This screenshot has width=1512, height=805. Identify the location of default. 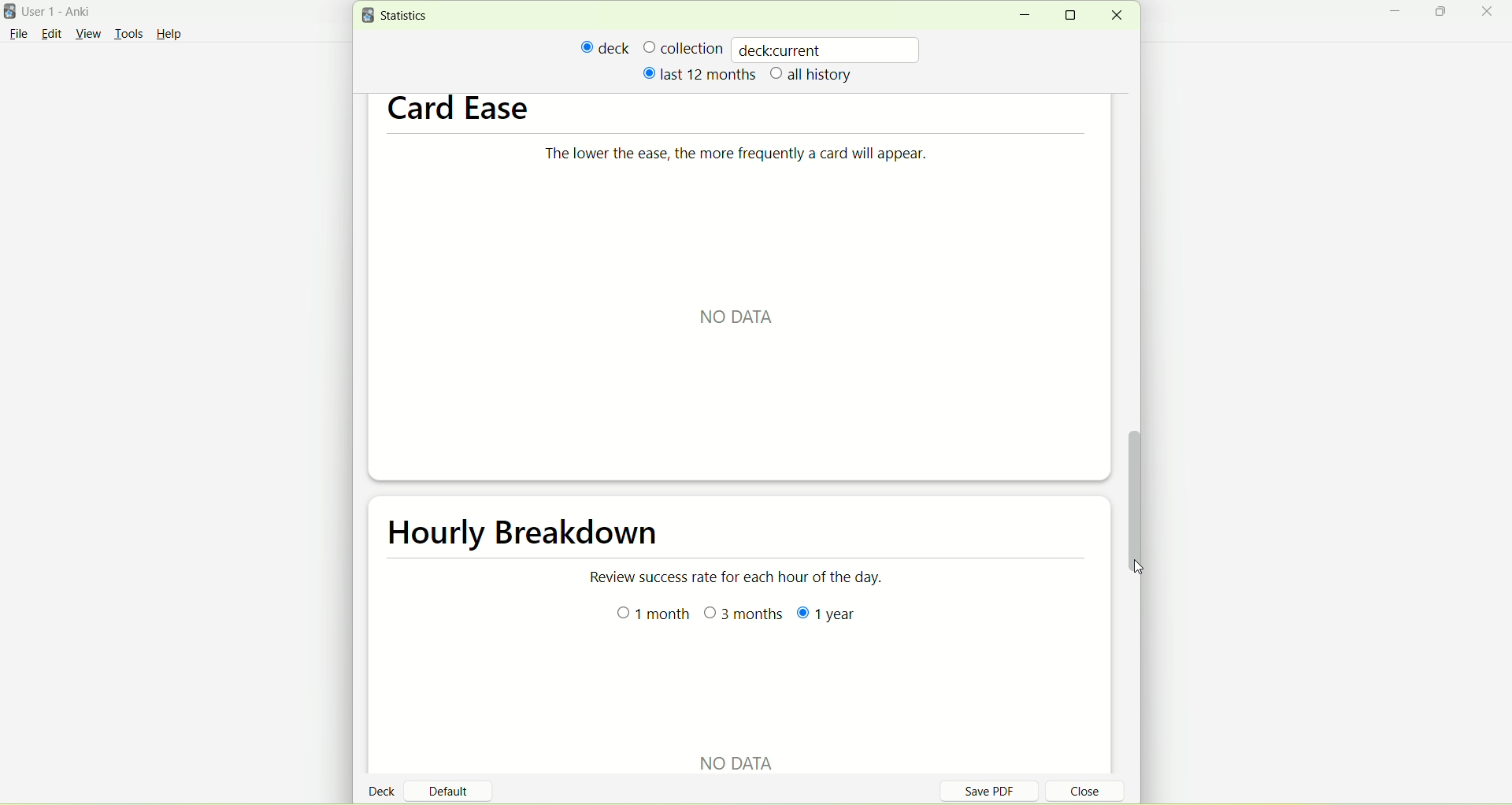
(454, 785).